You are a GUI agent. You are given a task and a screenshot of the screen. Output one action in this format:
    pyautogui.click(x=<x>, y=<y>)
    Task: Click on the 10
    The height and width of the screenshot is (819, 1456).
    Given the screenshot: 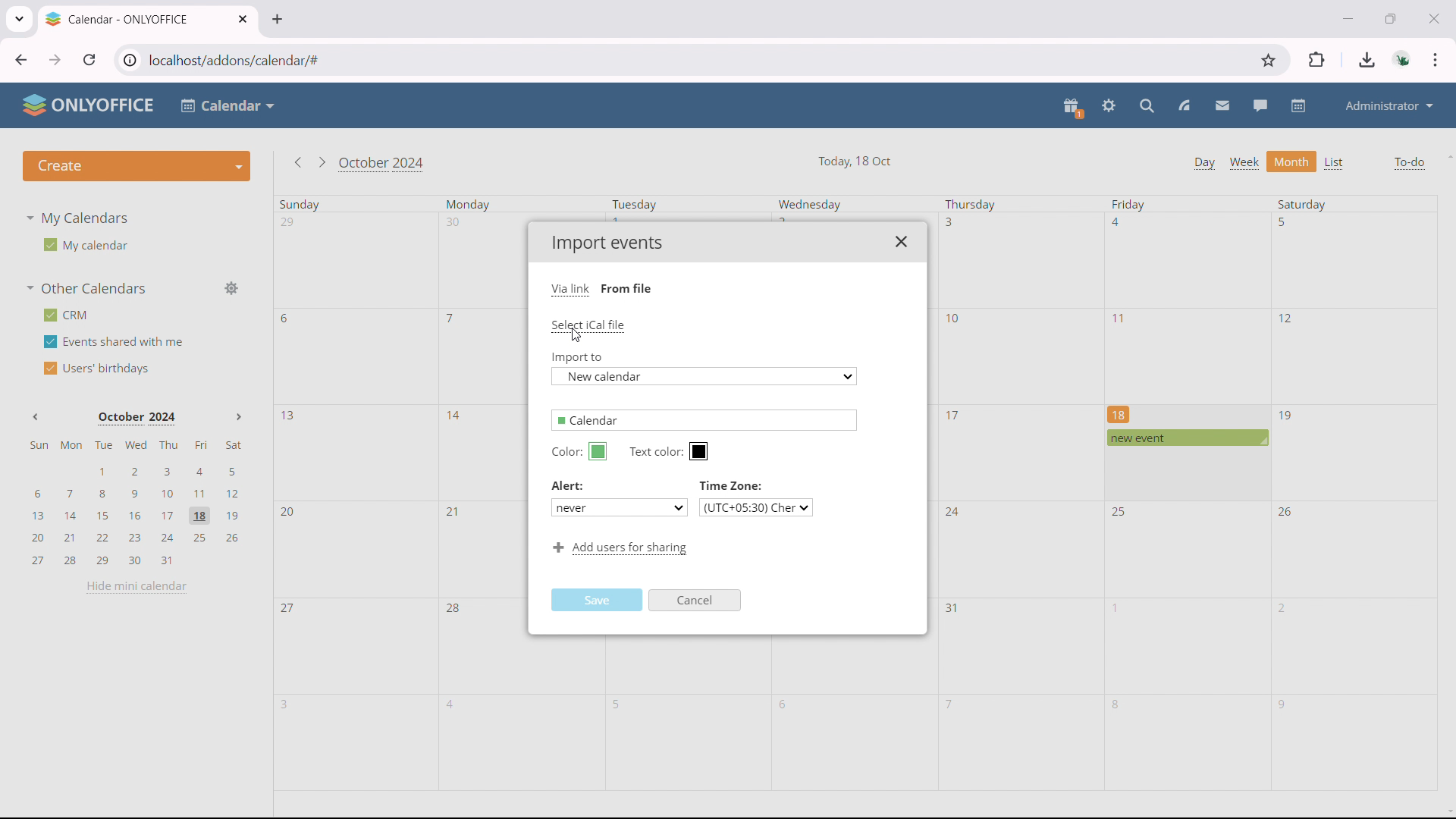 What is the action you would take?
    pyautogui.click(x=955, y=318)
    